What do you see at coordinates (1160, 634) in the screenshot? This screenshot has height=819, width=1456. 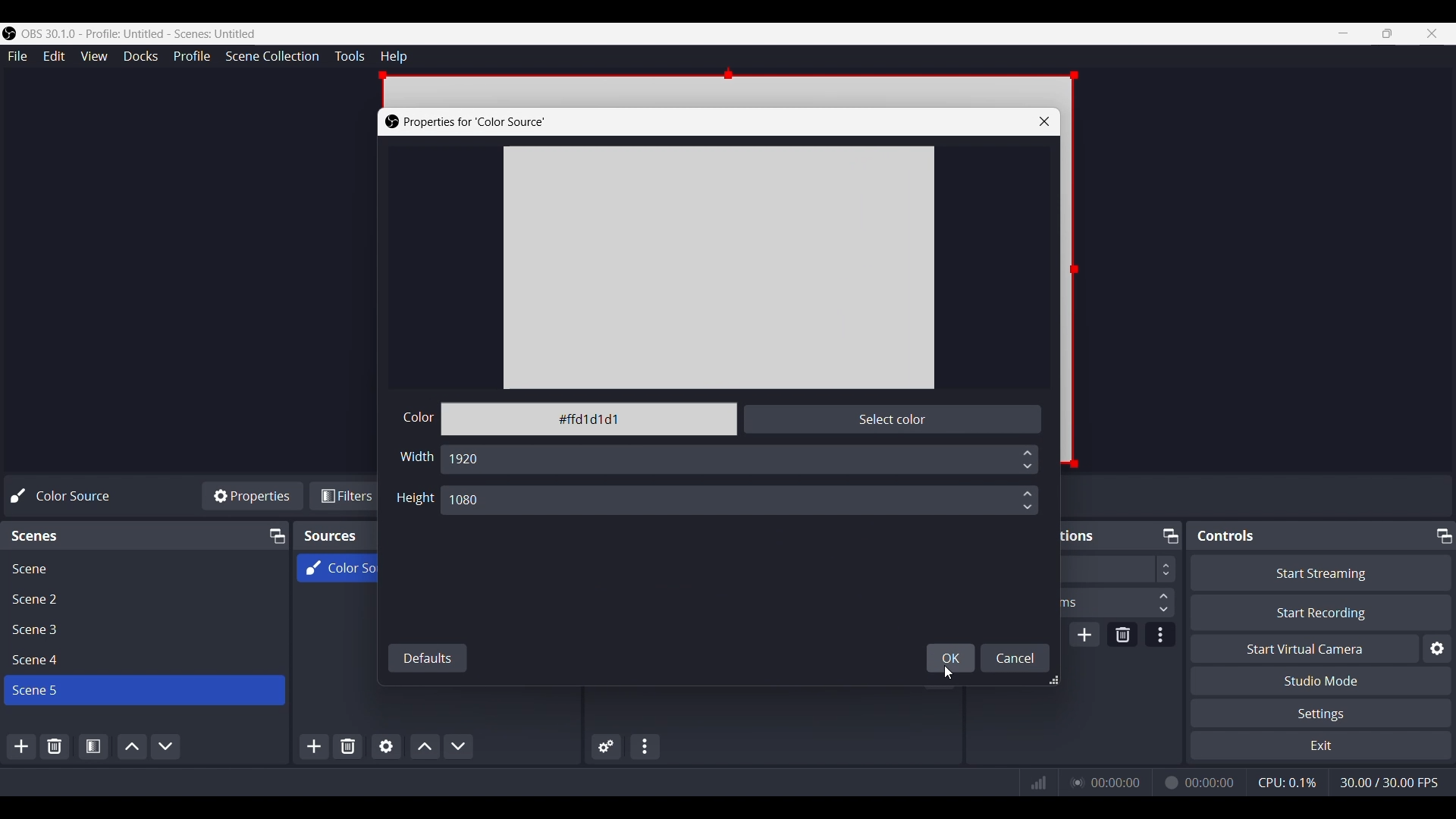 I see `Transition Properties` at bounding box center [1160, 634].